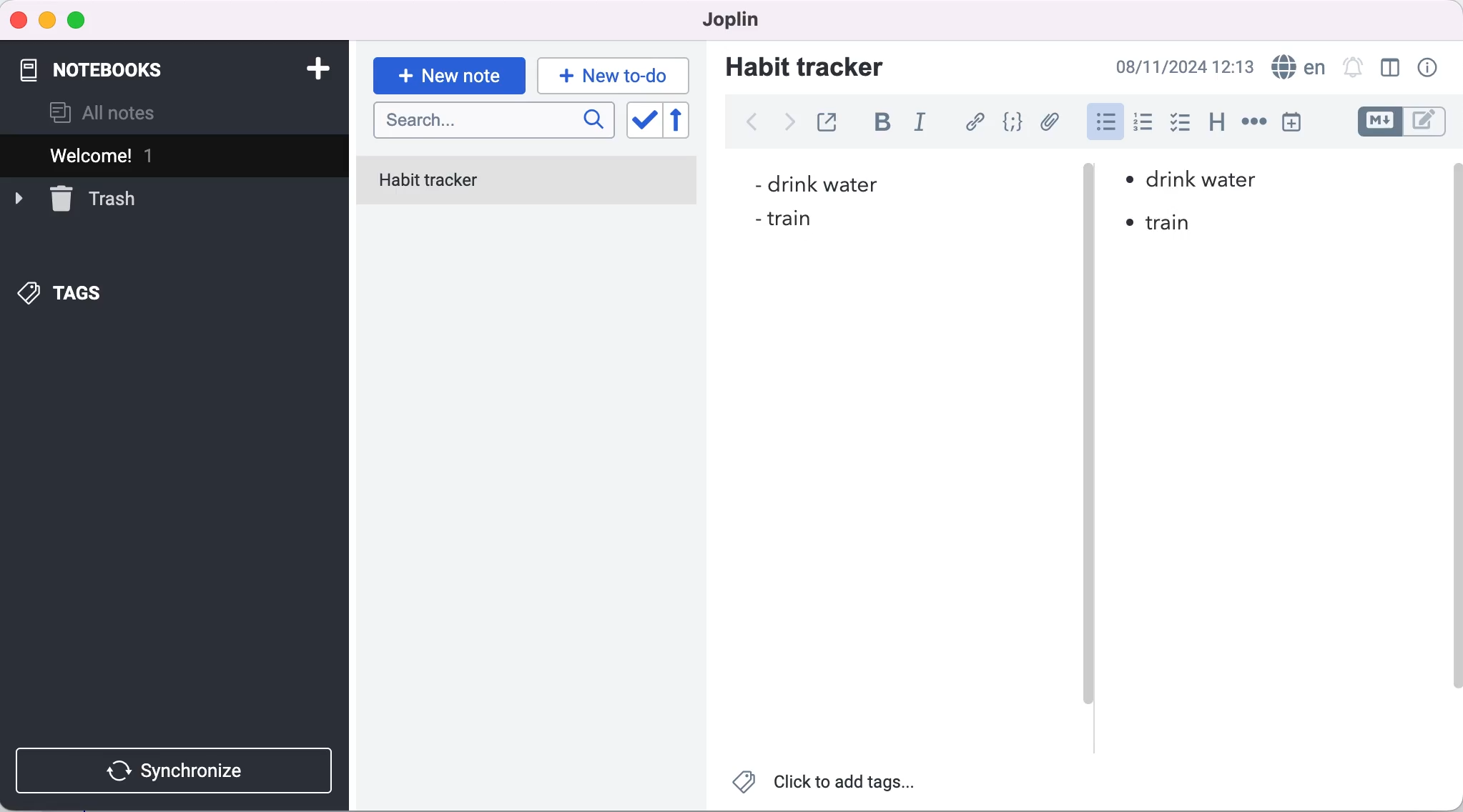  What do you see at coordinates (46, 21) in the screenshot?
I see `minimize` at bounding box center [46, 21].